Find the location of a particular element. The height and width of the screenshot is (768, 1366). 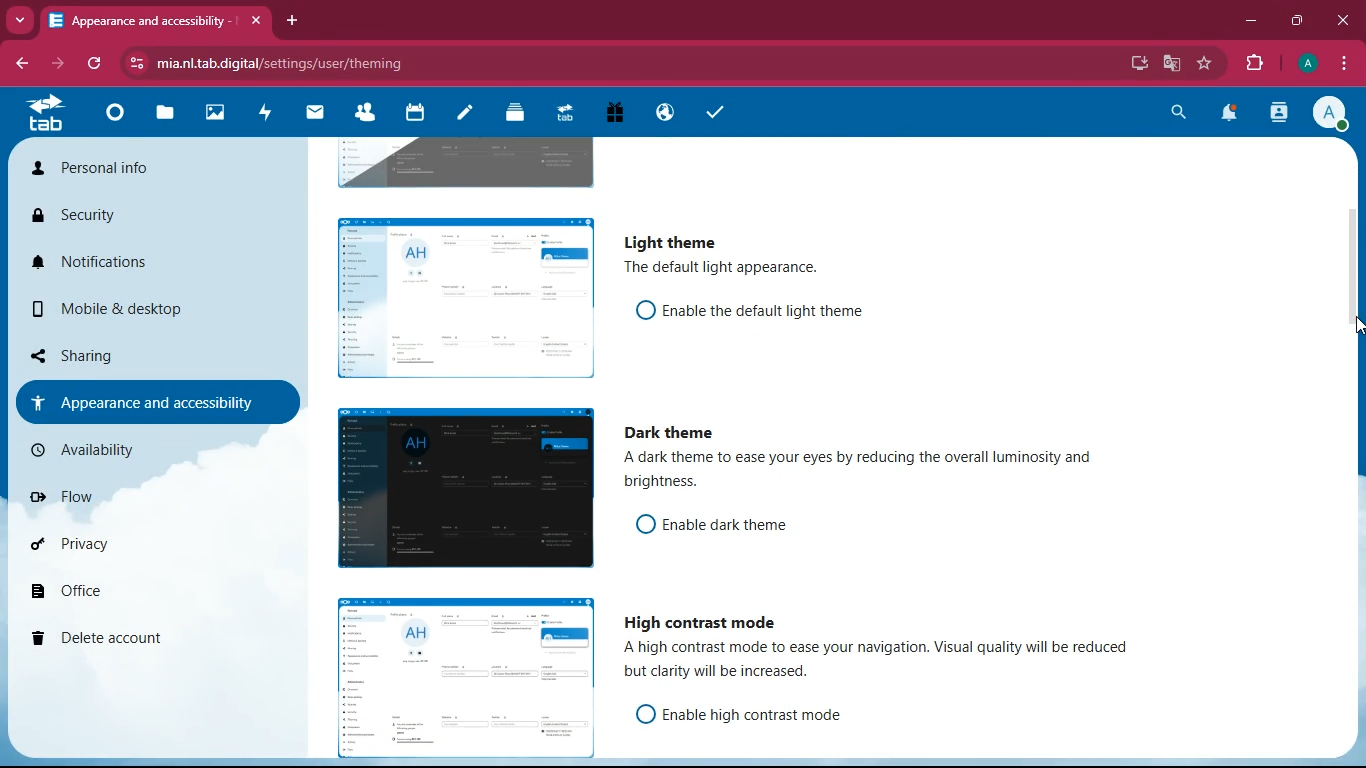

dark theme is located at coordinates (674, 433).